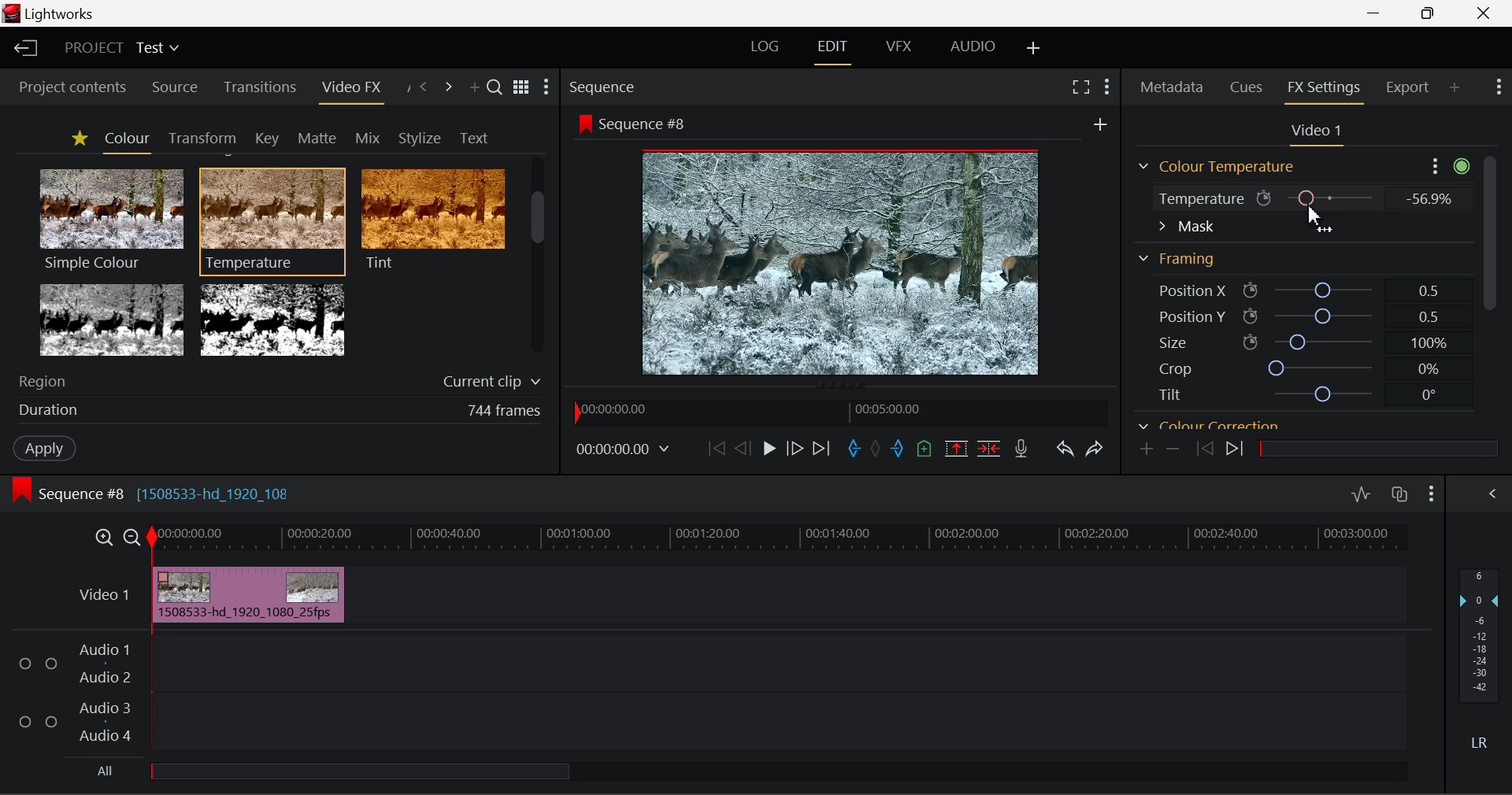 The height and width of the screenshot is (795, 1512). Describe the element at coordinates (169, 490) in the screenshot. I see `Sequence #8 [1508533-hd_1920_108` at that location.